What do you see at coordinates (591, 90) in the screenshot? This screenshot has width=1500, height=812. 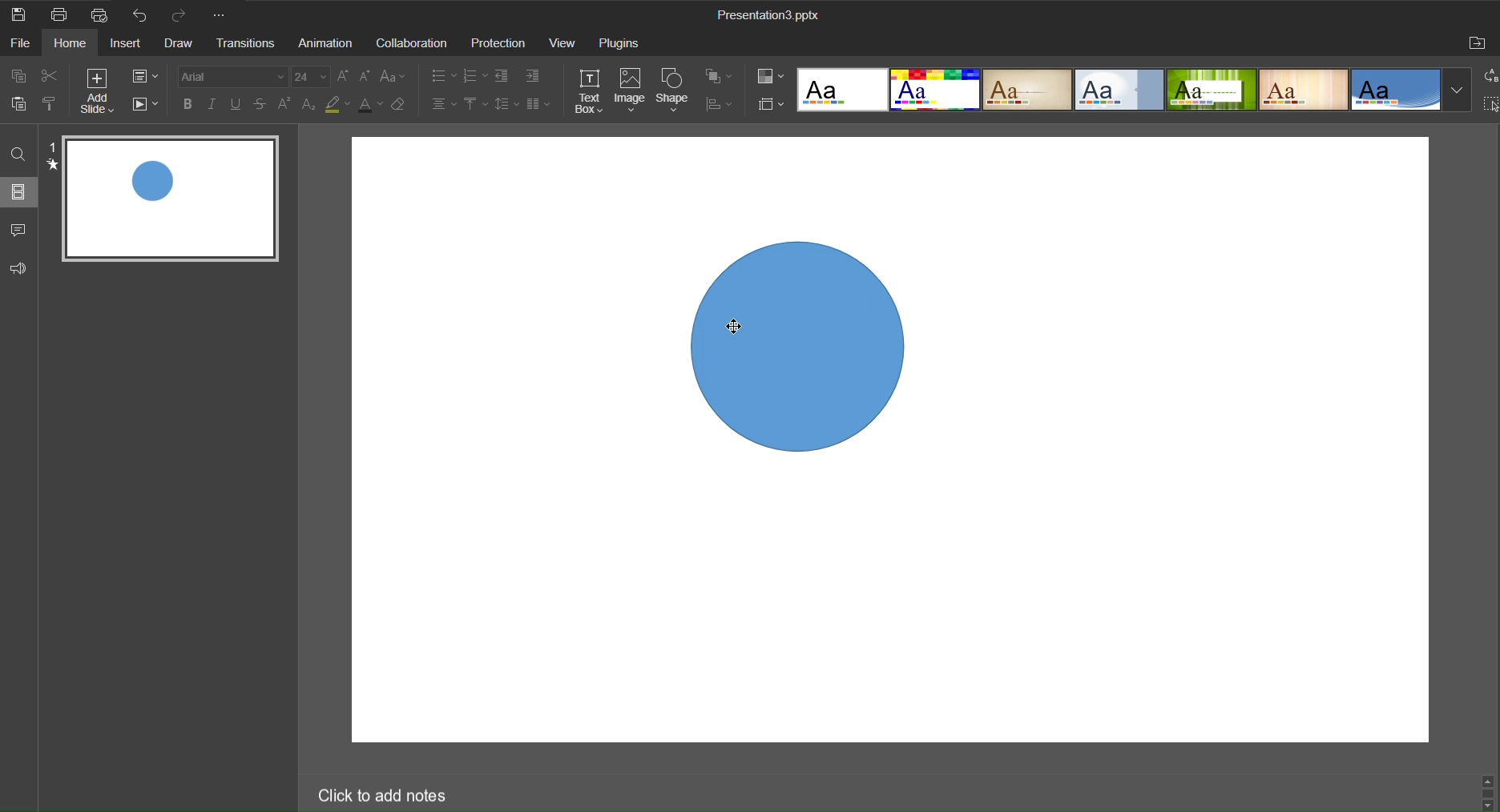 I see `Text Box` at bounding box center [591, 90].